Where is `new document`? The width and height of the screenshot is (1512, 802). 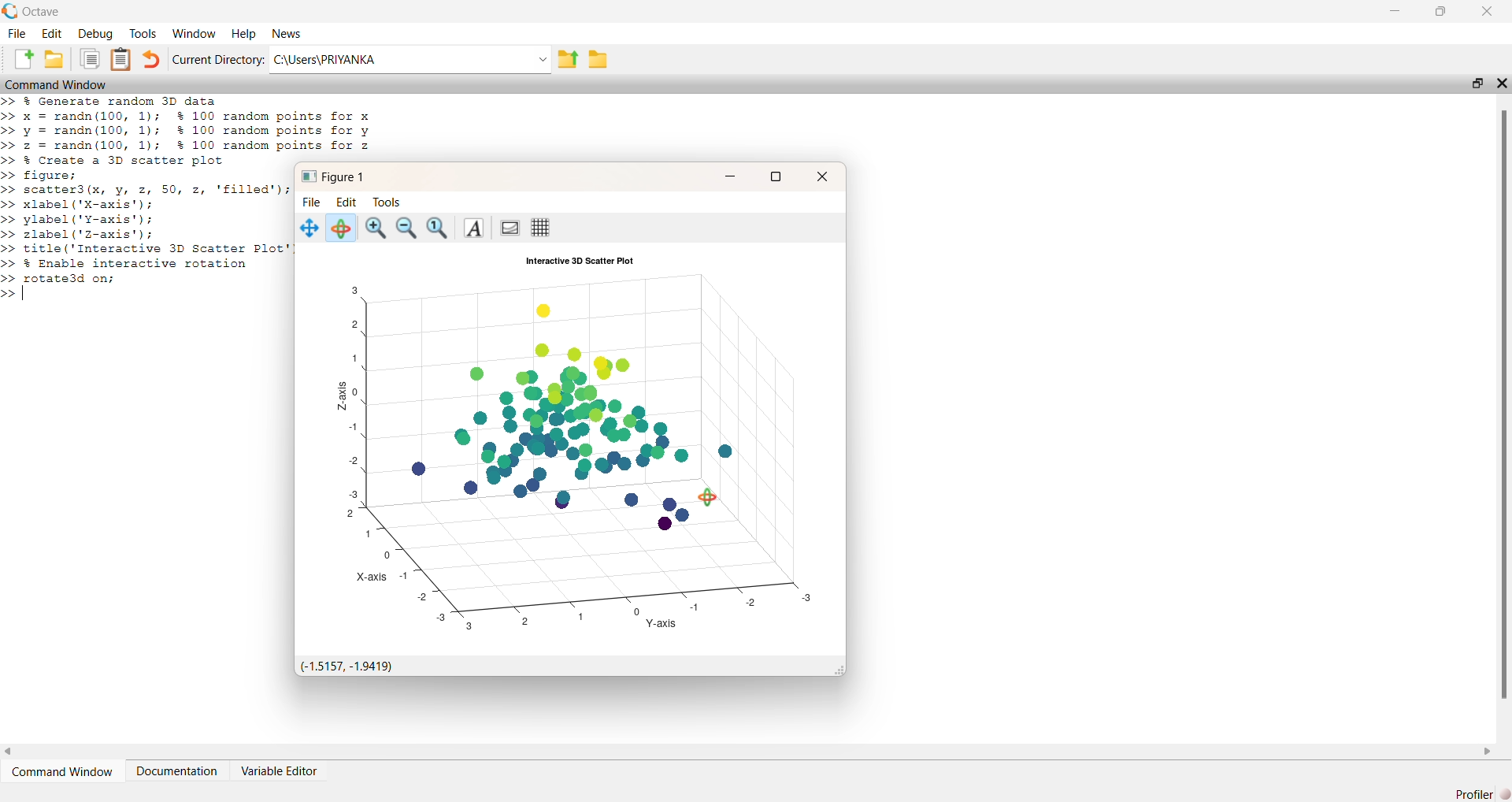
new document is located at coordinates (23, 58).